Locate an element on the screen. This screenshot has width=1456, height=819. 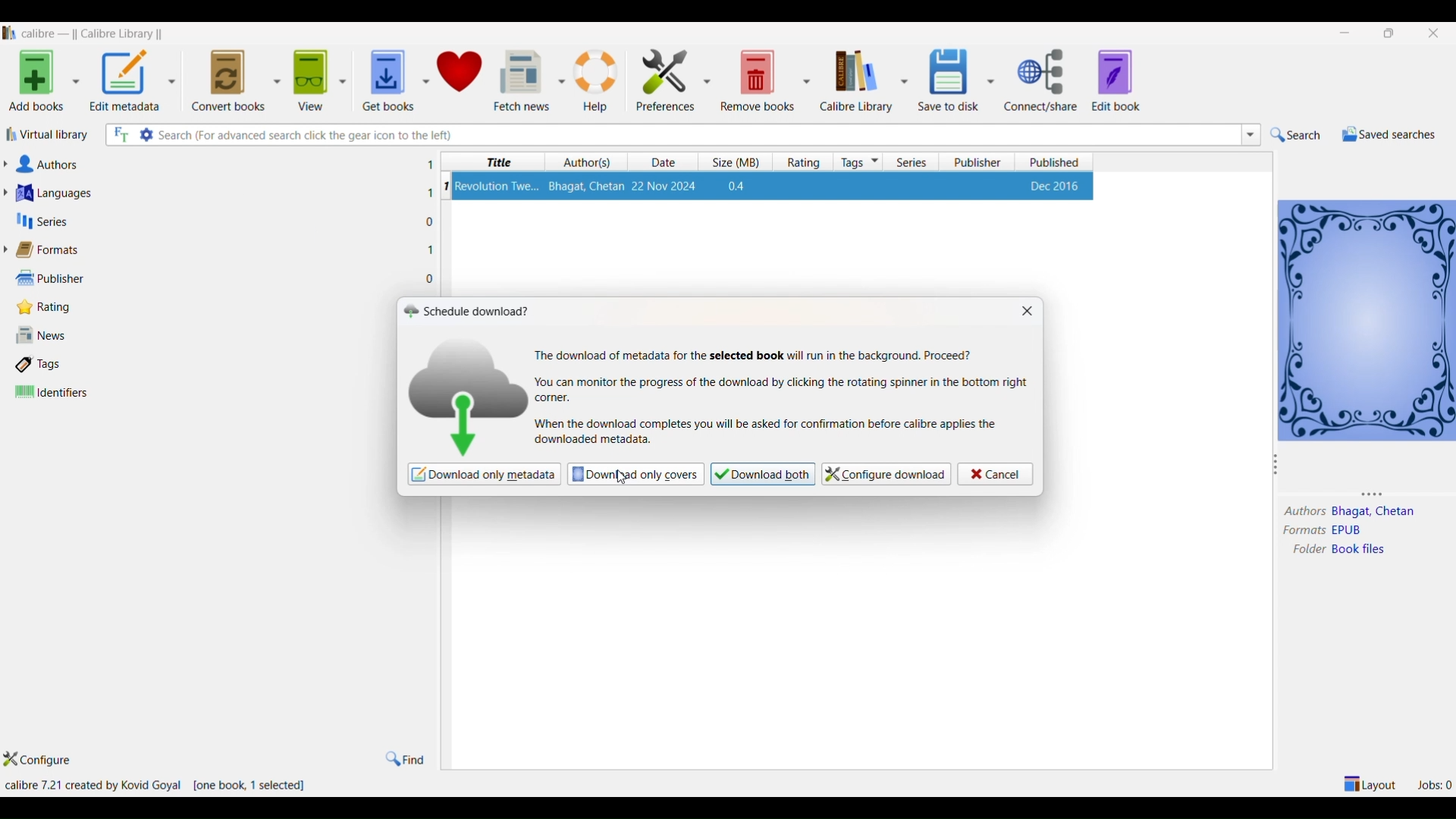
logo is located at coordinates (409, 311).